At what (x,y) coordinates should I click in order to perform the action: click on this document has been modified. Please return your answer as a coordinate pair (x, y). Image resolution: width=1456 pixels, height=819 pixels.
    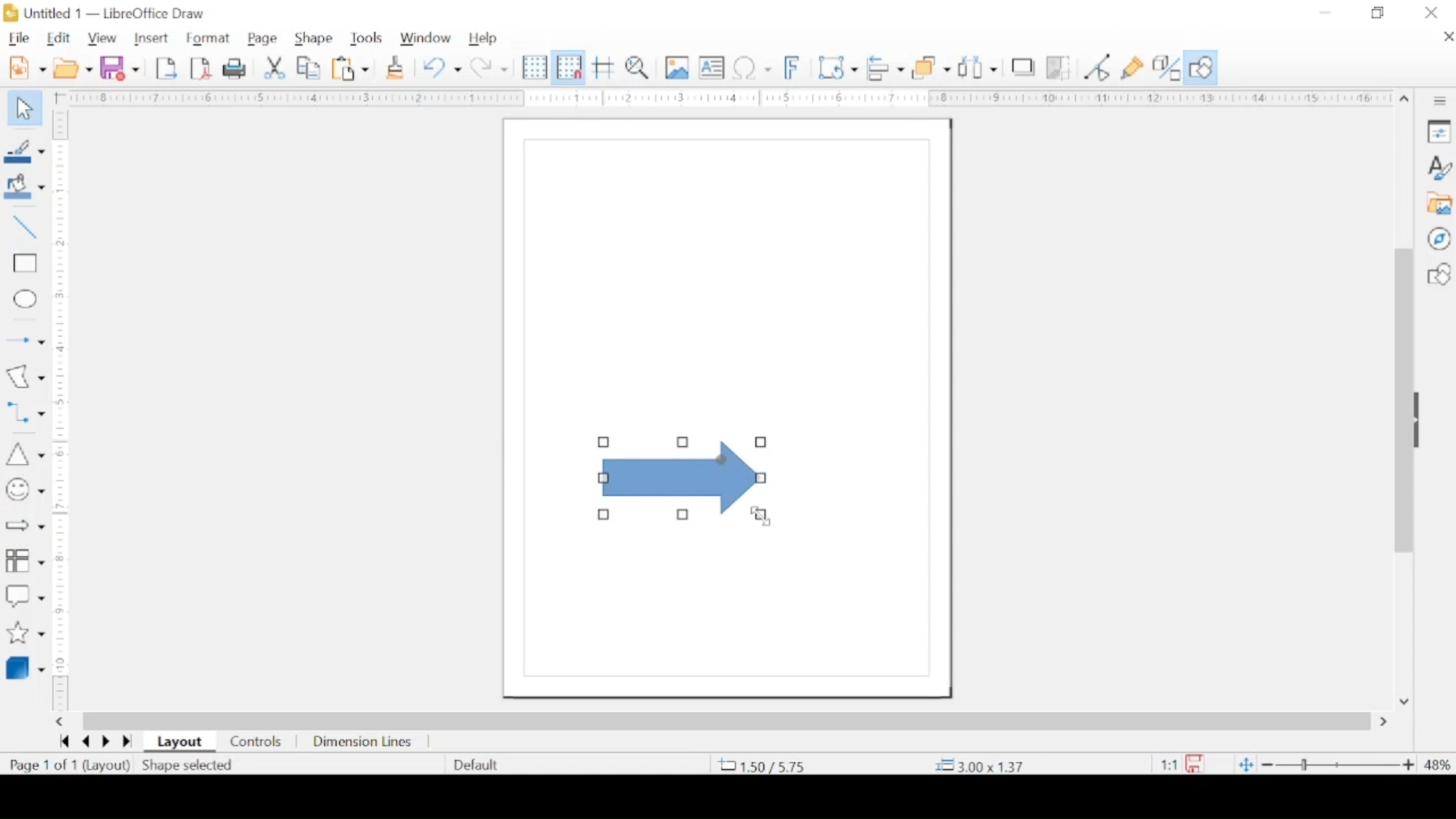
    Looking at the image, I should click on (1176, 764).